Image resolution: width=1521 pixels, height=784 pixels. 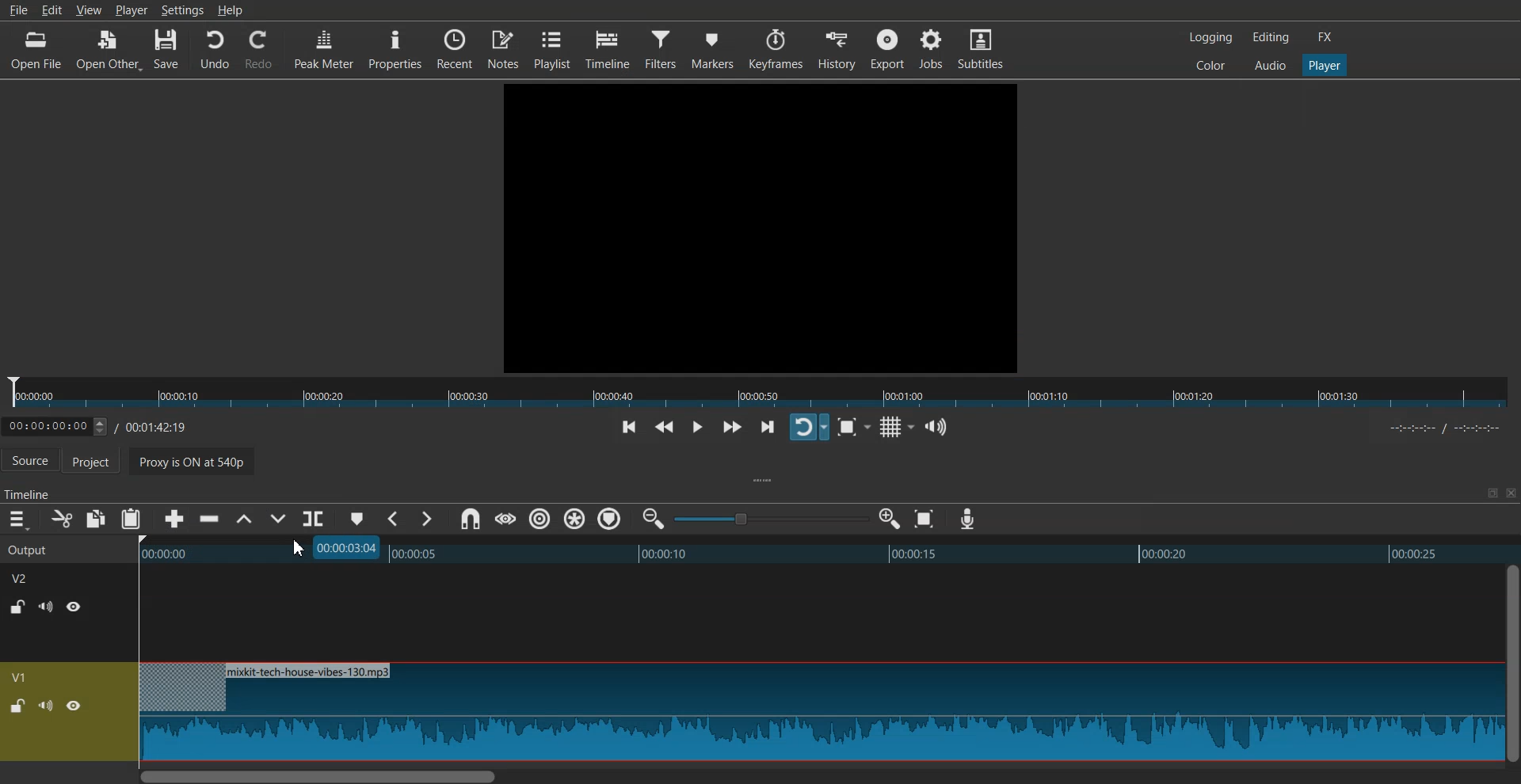 What do you see at coordinates (966, 519) in the screenshot?
I see `Record audio` at bounding box center [966, 519].